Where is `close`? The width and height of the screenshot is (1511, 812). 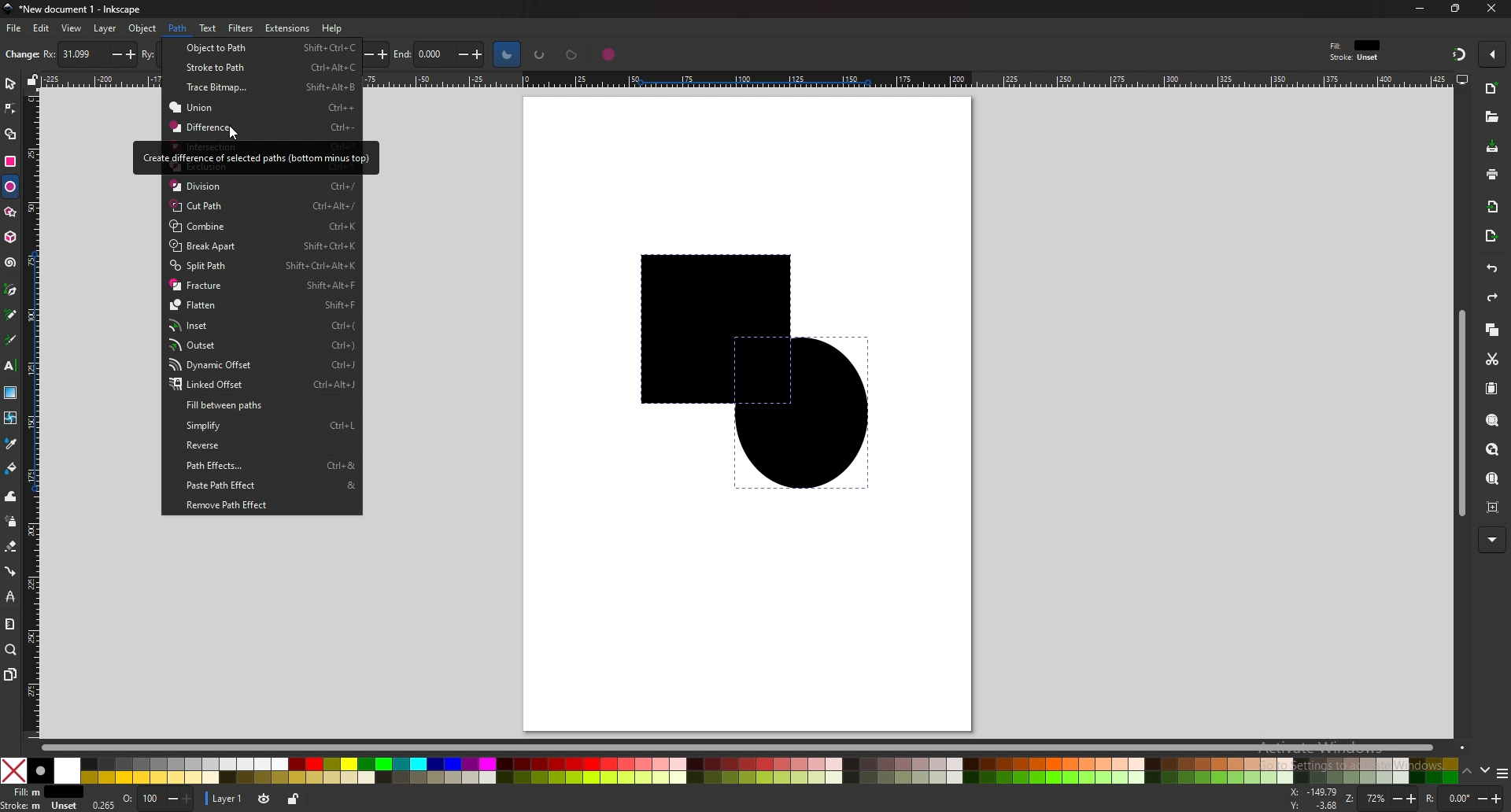
close is located at coordinates (1488, 9).